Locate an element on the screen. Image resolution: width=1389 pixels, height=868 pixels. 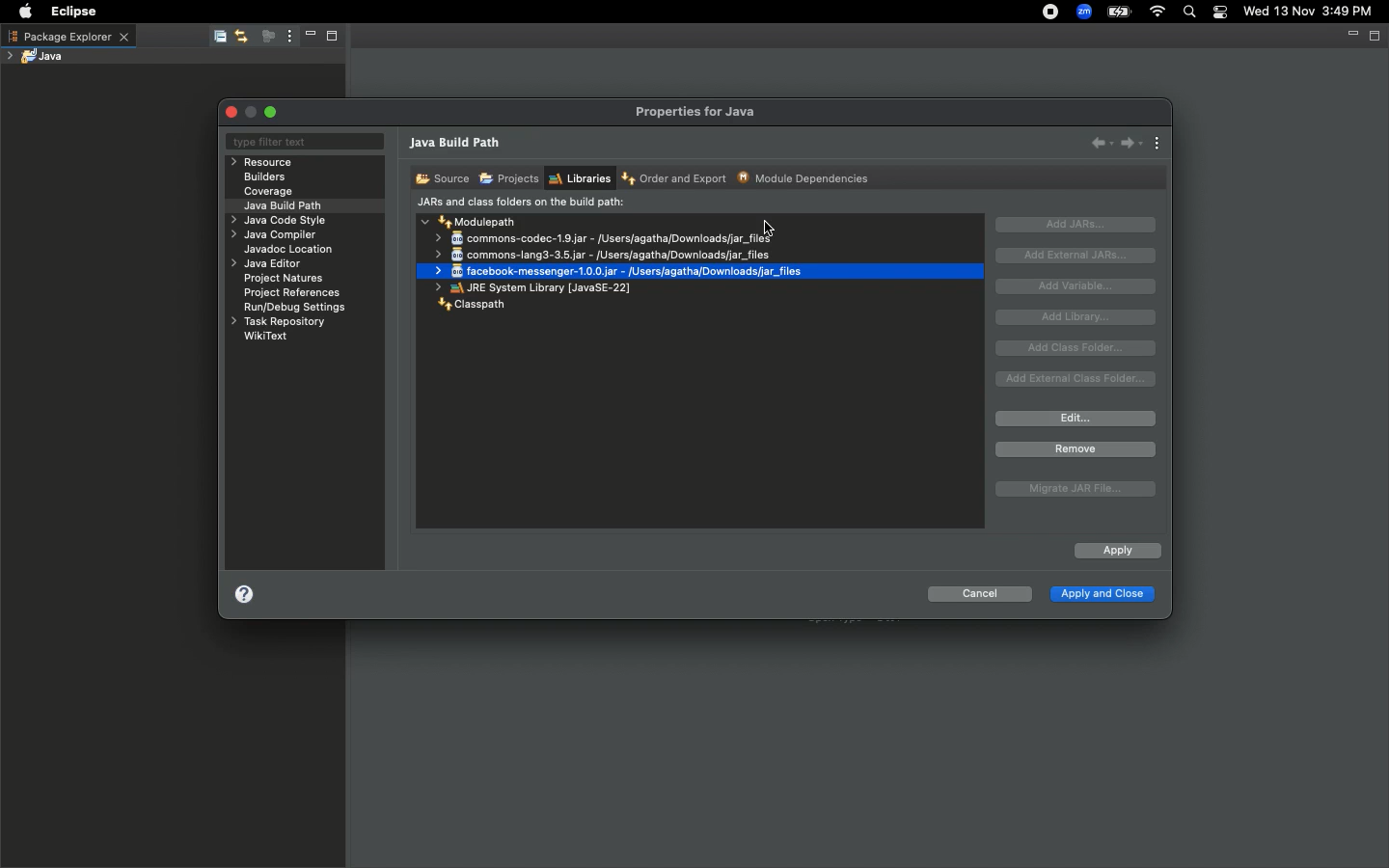
Forward is located at coordinates (1131, 143).